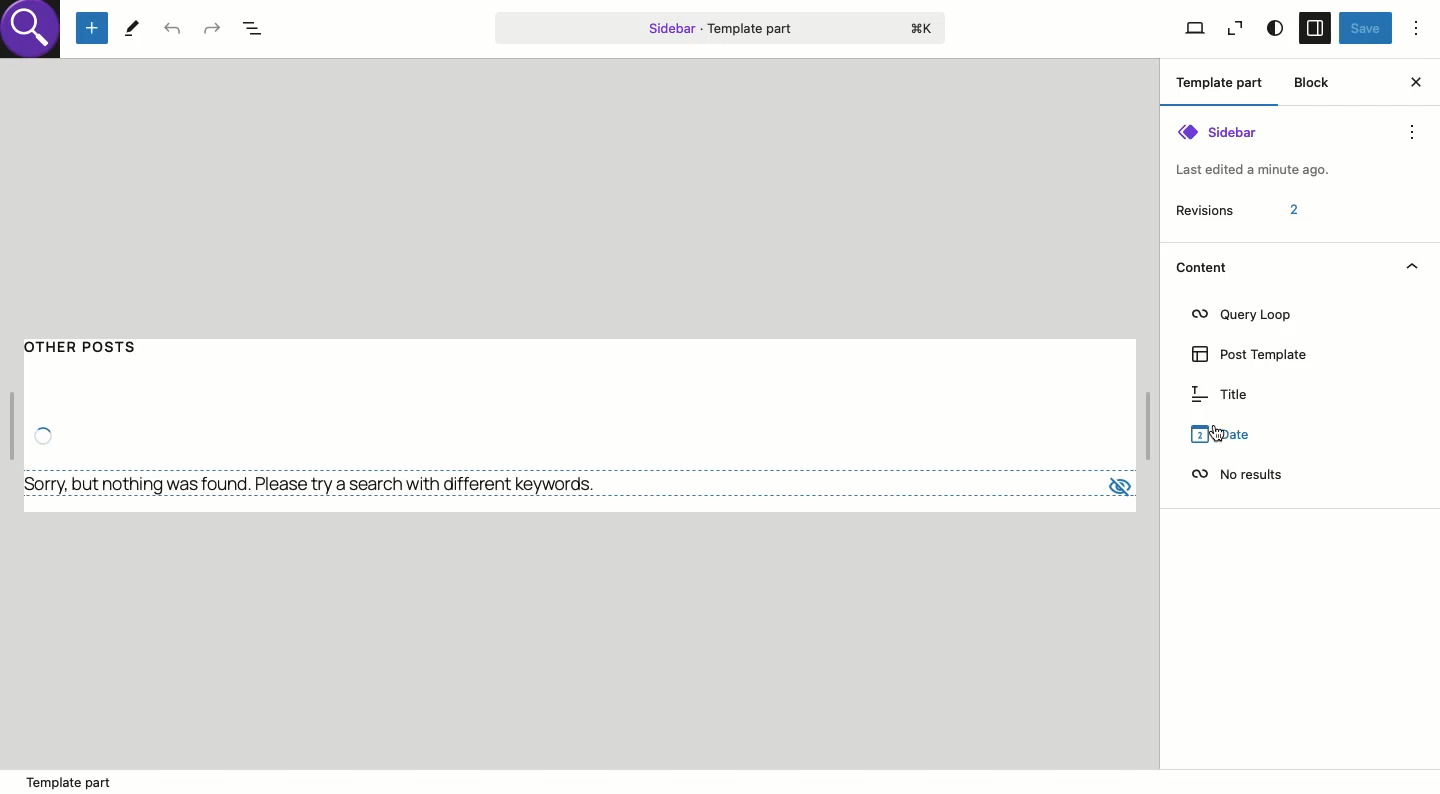 This screenshot has width=1440, height=794. Describe the element at coordinates (1220, 394) in the screenshot. I see `Title ` at that location.